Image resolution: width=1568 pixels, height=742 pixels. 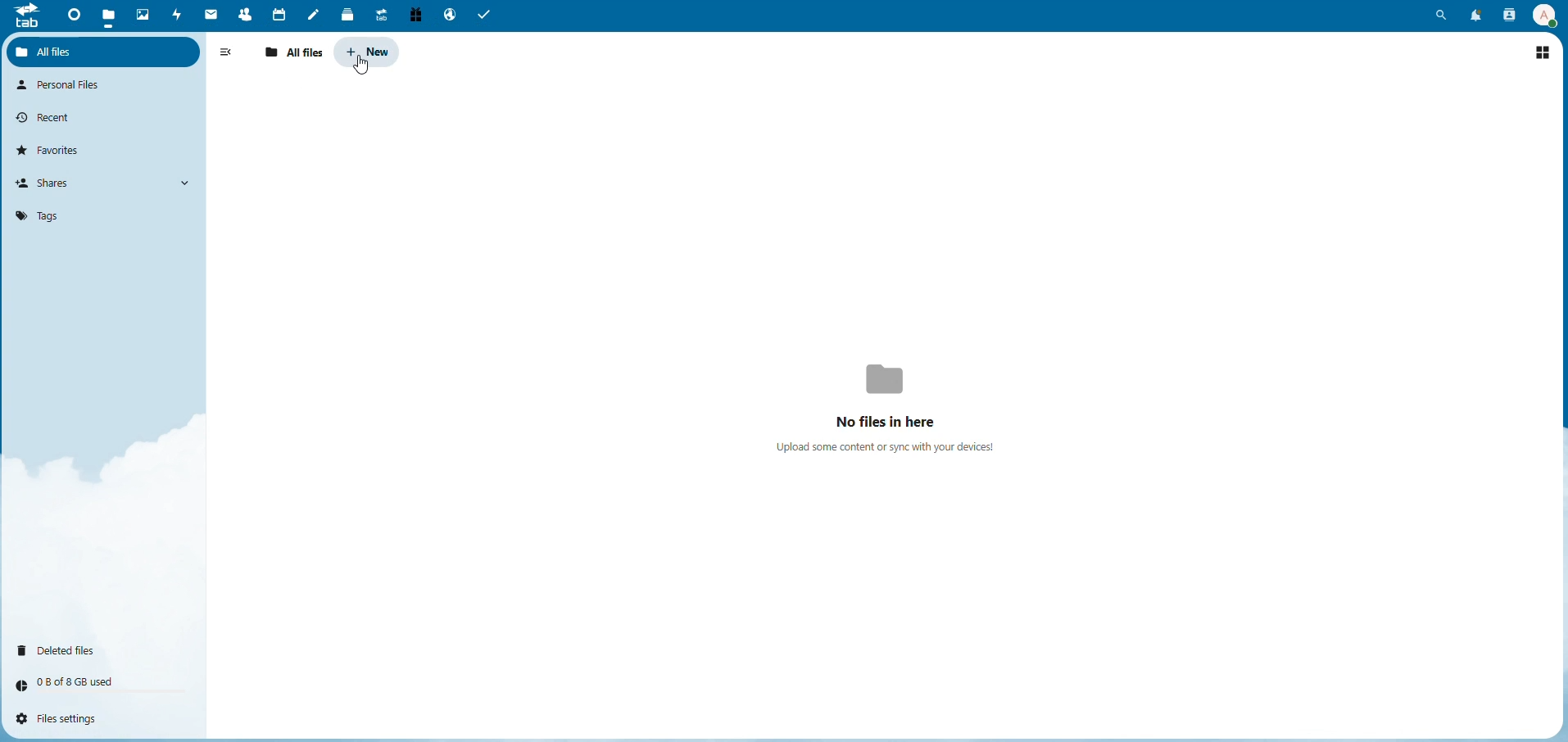 I want to click on Tasks, so click(x=489, y=16).